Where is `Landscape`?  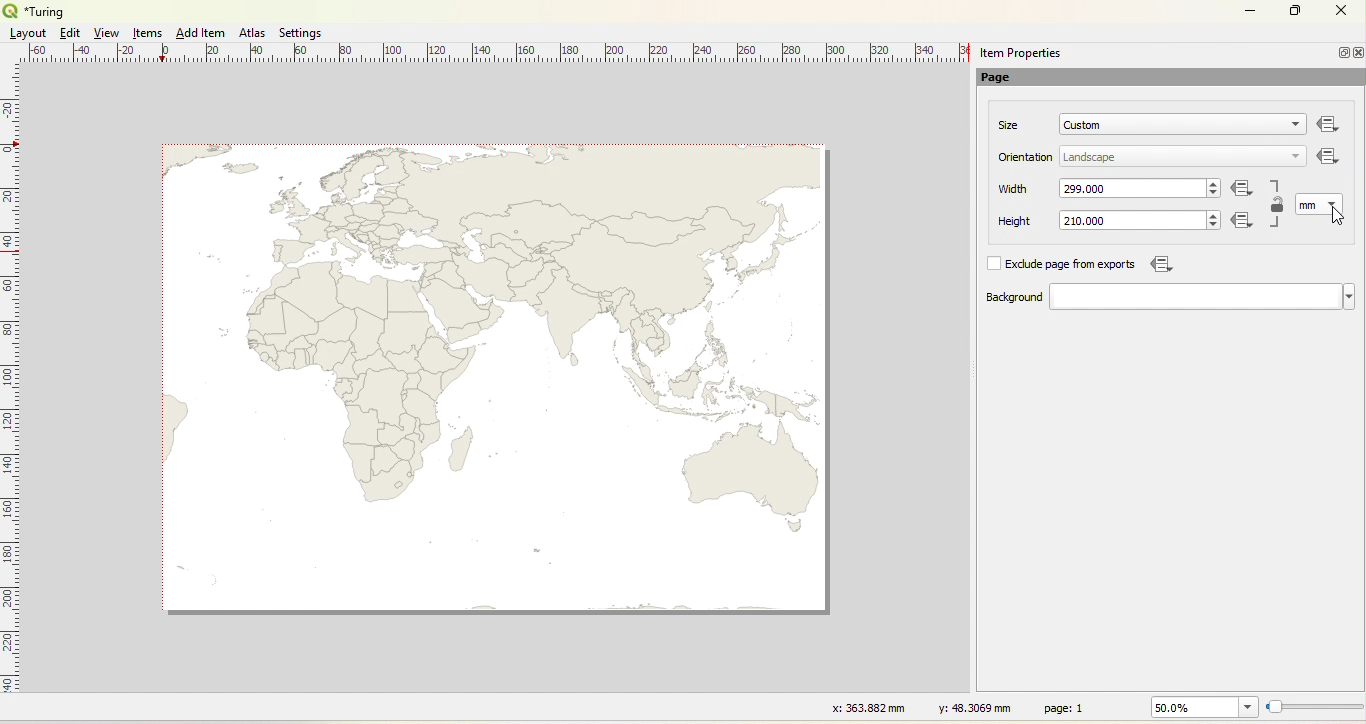
Landscape is located at coordinates (1090, 158).